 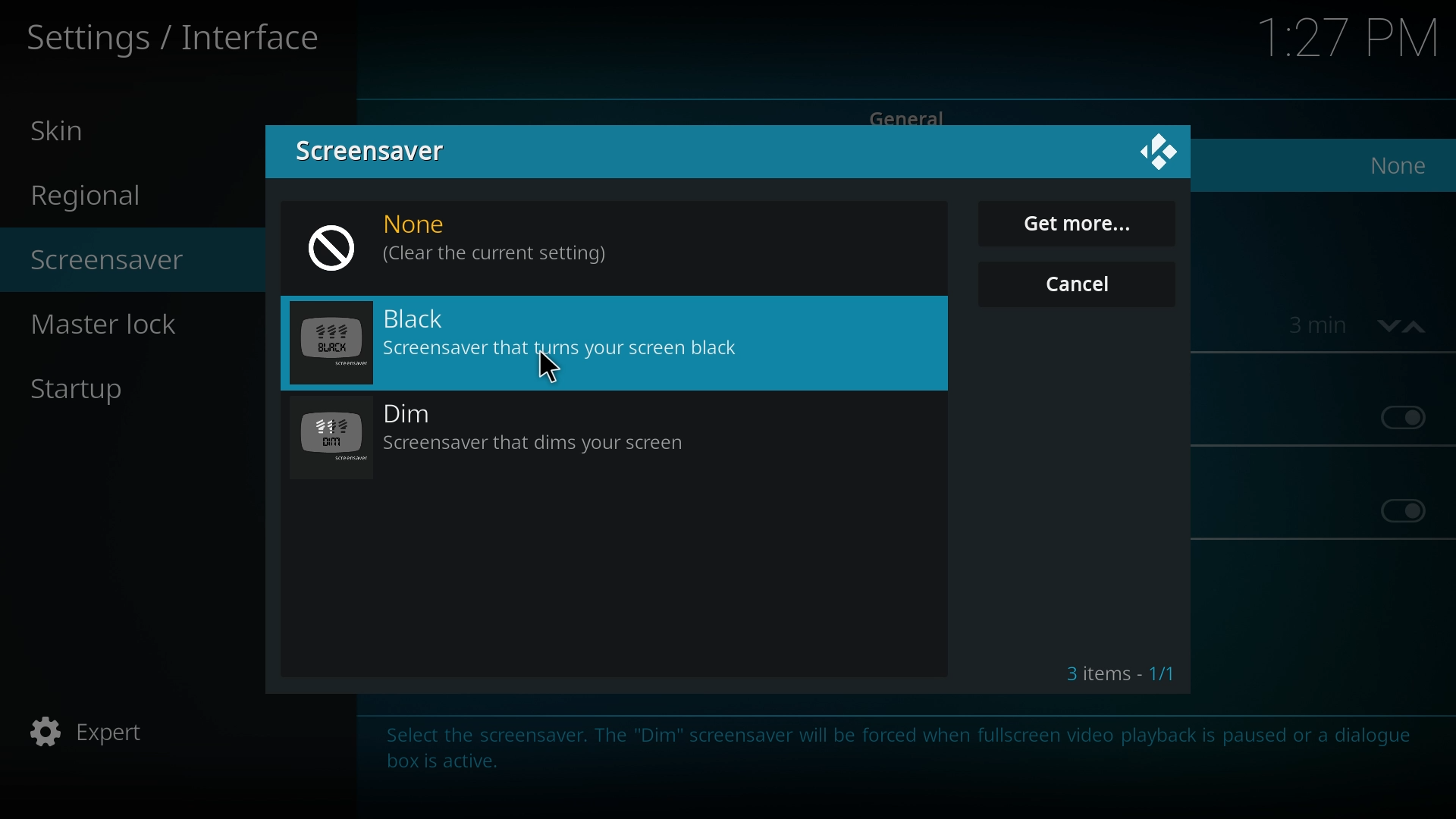 What do you see at coordinates (125, 191) in the screenshot?
I see `regional` at bounding box center [125, 191].